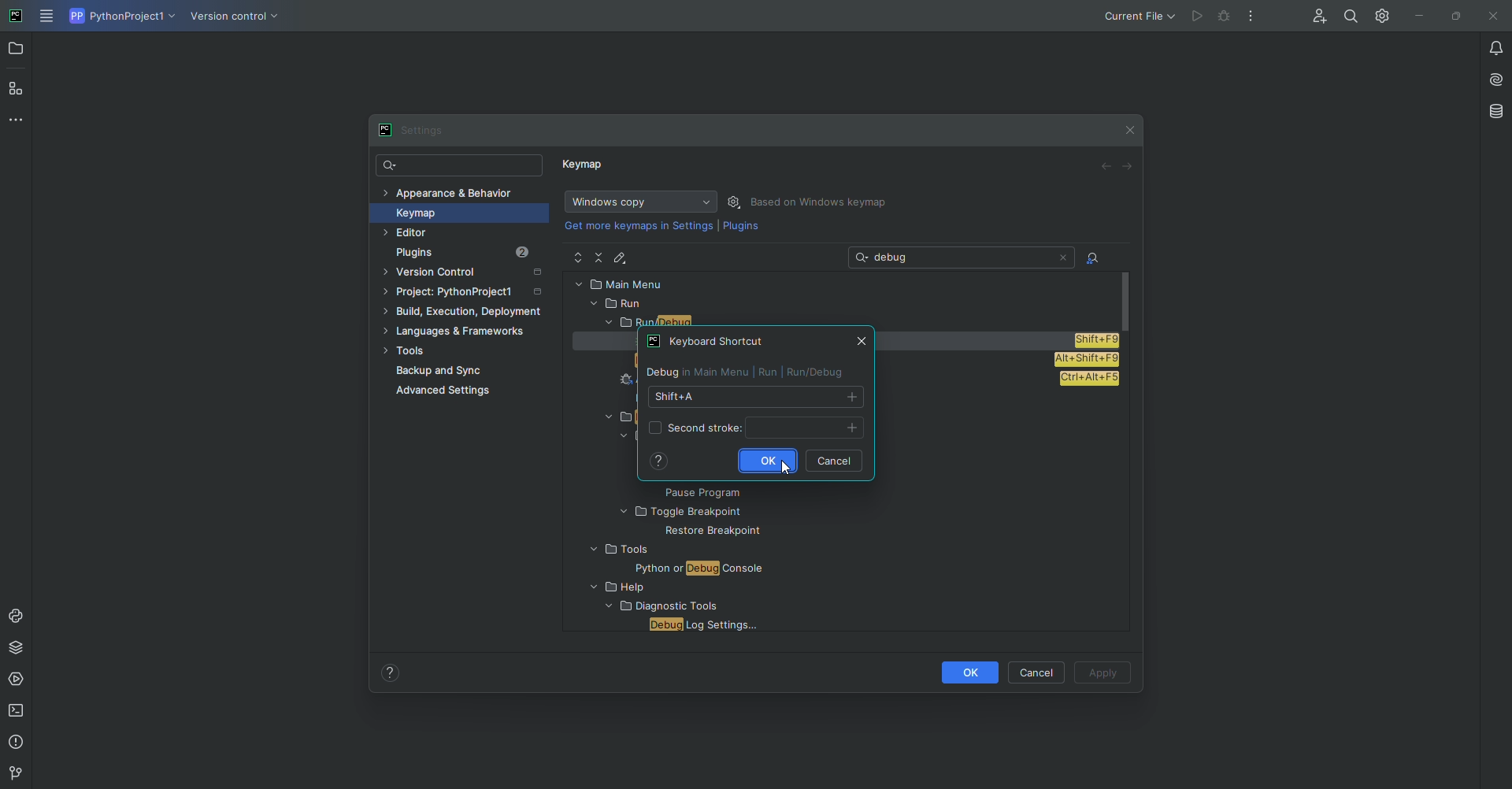  I want to click on Search: debug, so click(963, 257).